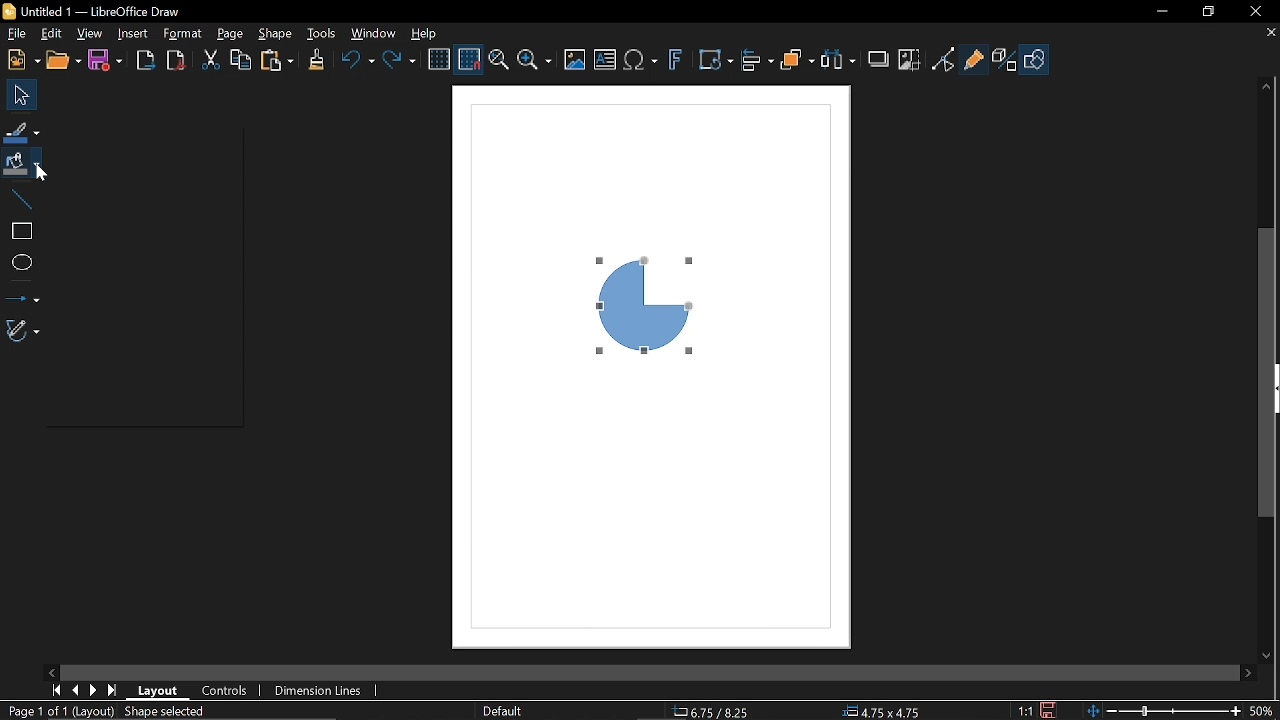 The height and width of the screenshot is (720, 1280). What do you see at coordinates (225, 691) in the screenshot?
I see `Controls` at bounding box center [225, 691].